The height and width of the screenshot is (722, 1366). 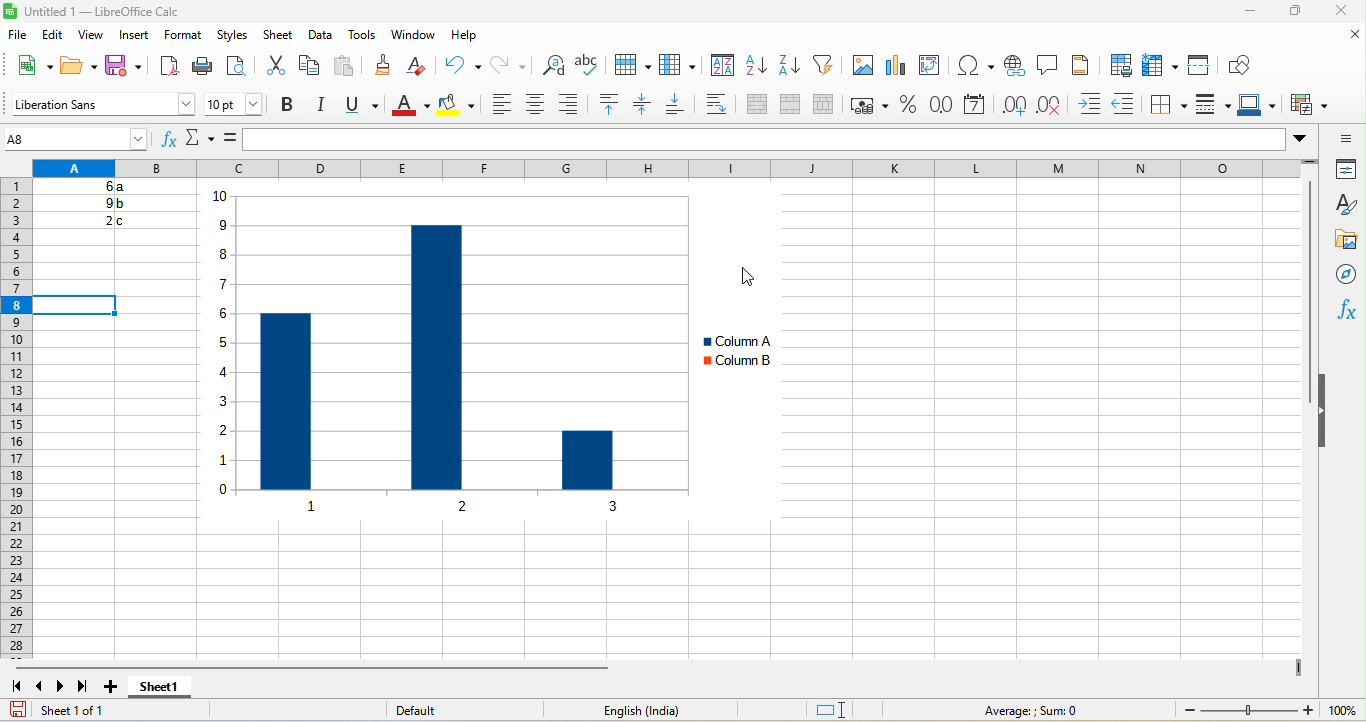 What do you see at coordinates (642, 106) in the screenshot?
I see `center vertically` at bounding box center [642, 106].